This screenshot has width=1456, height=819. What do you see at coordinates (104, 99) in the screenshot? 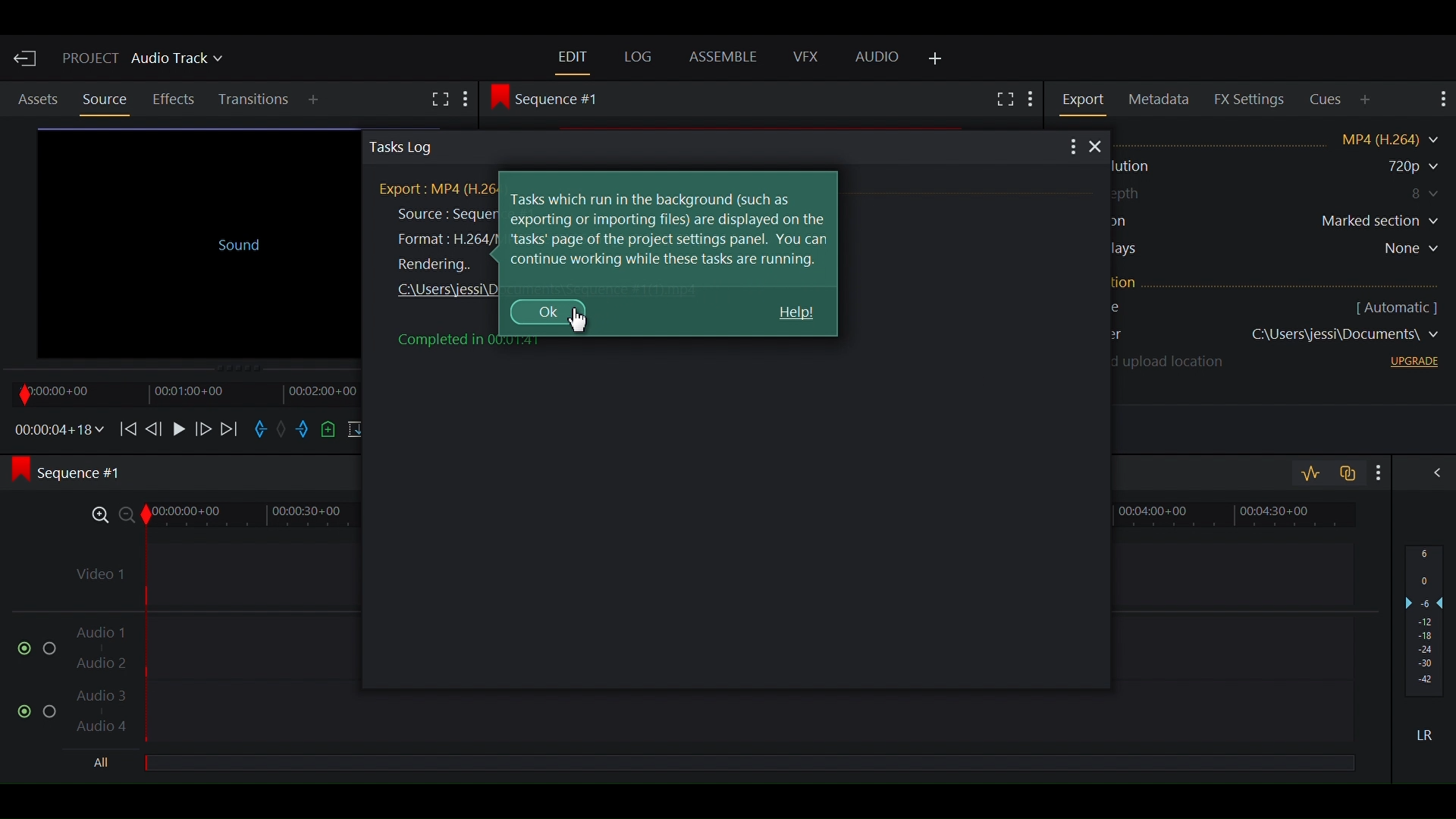
I see `Source` at bounding box center [104, 99].